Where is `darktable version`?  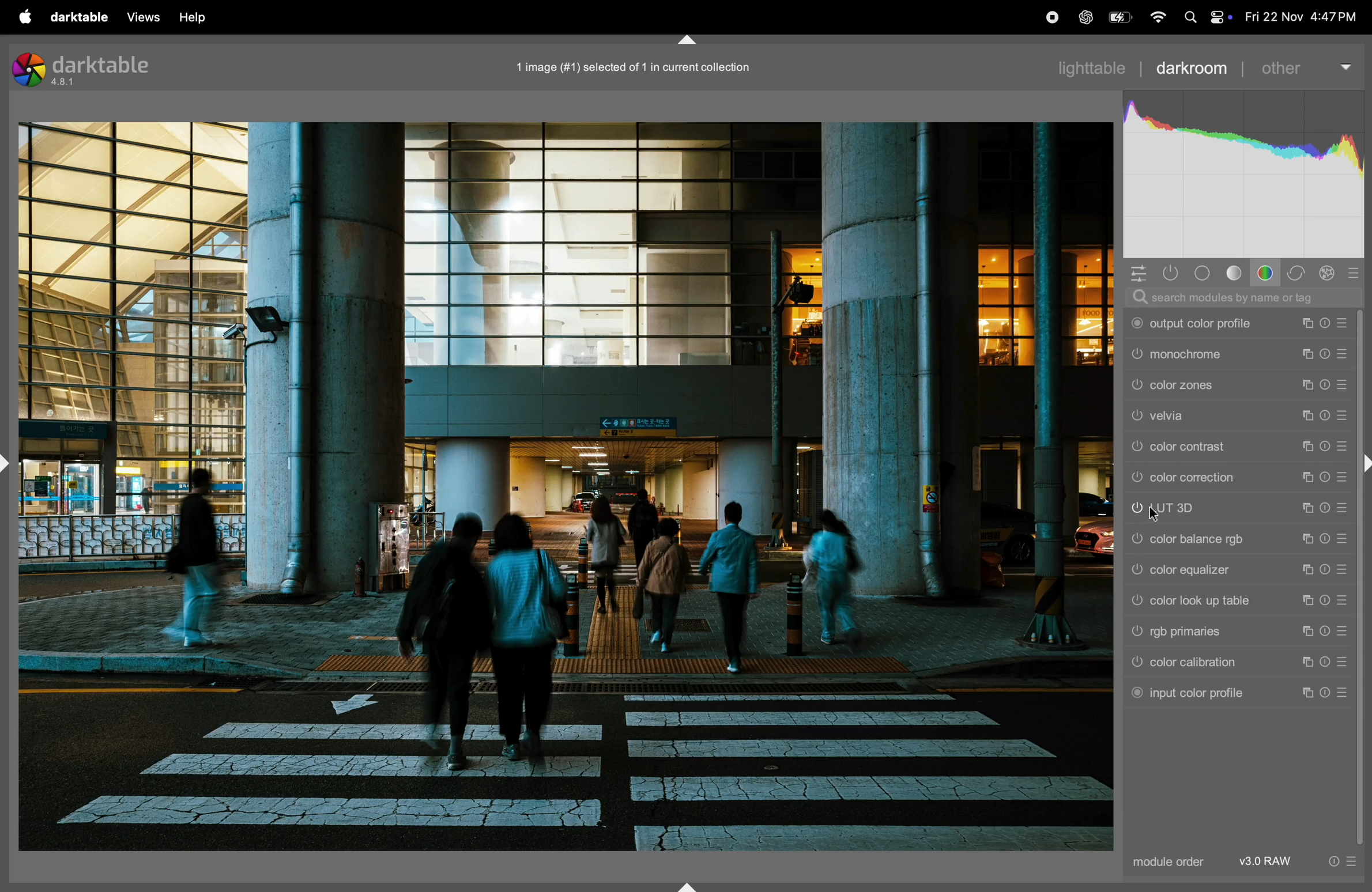
darktable version is located at coordinates (105, 70).